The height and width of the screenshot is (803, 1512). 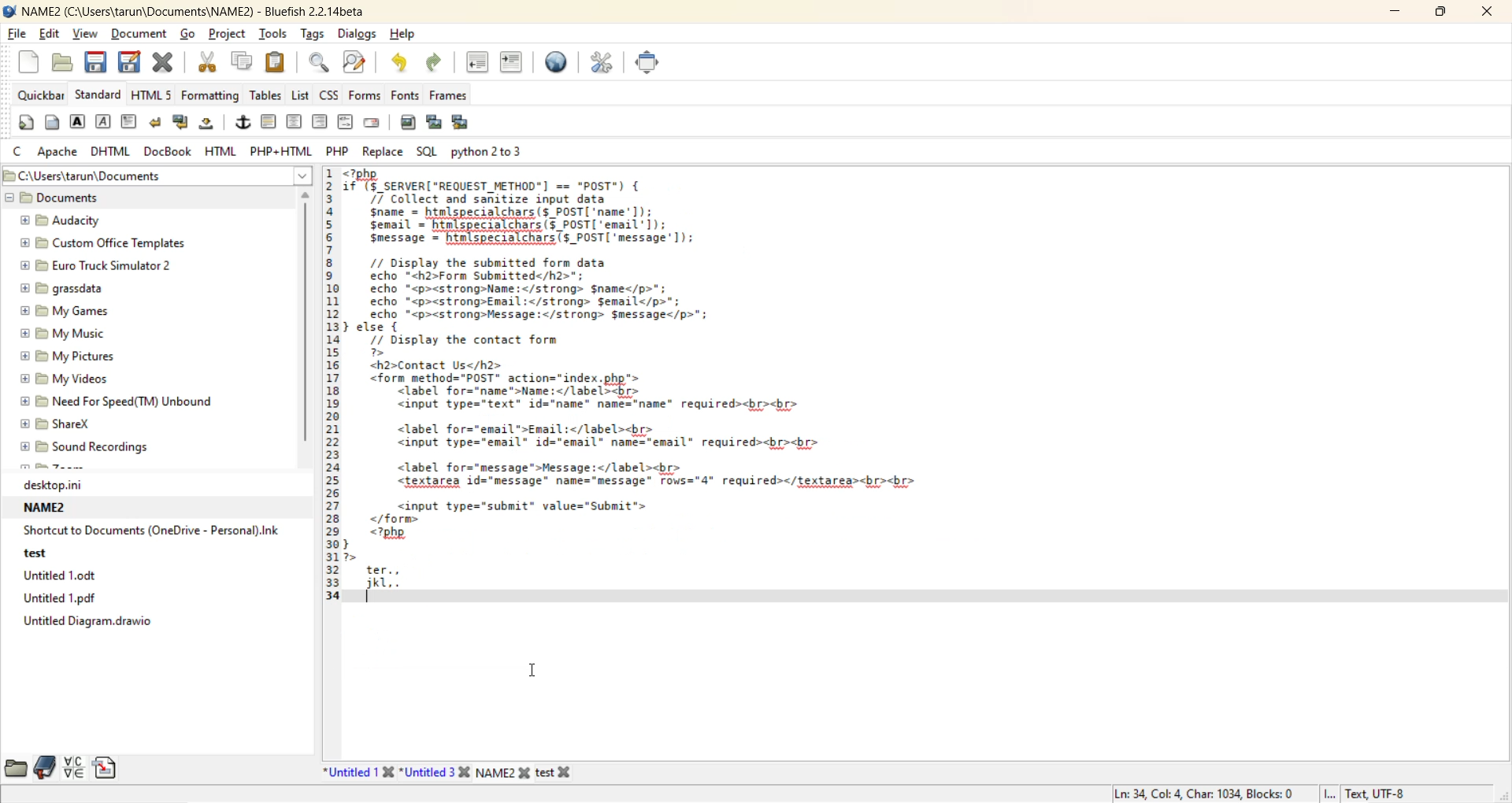 What do you see at coordinates (165, 65) in the screenshot?
I see `close file` at bounding box center [165, 65].